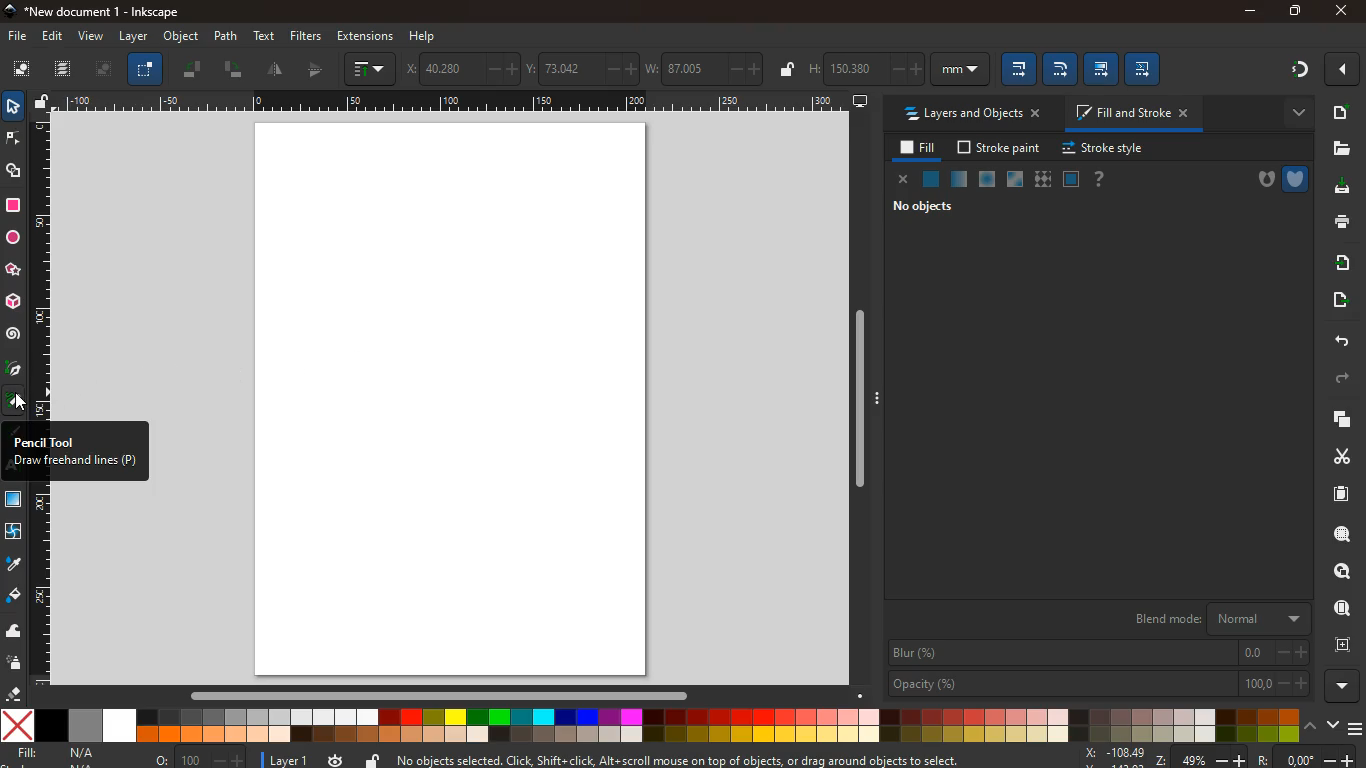  Describe the element at coordinates (1106, 149) in the screenshot. I see `stroke style` at that location.